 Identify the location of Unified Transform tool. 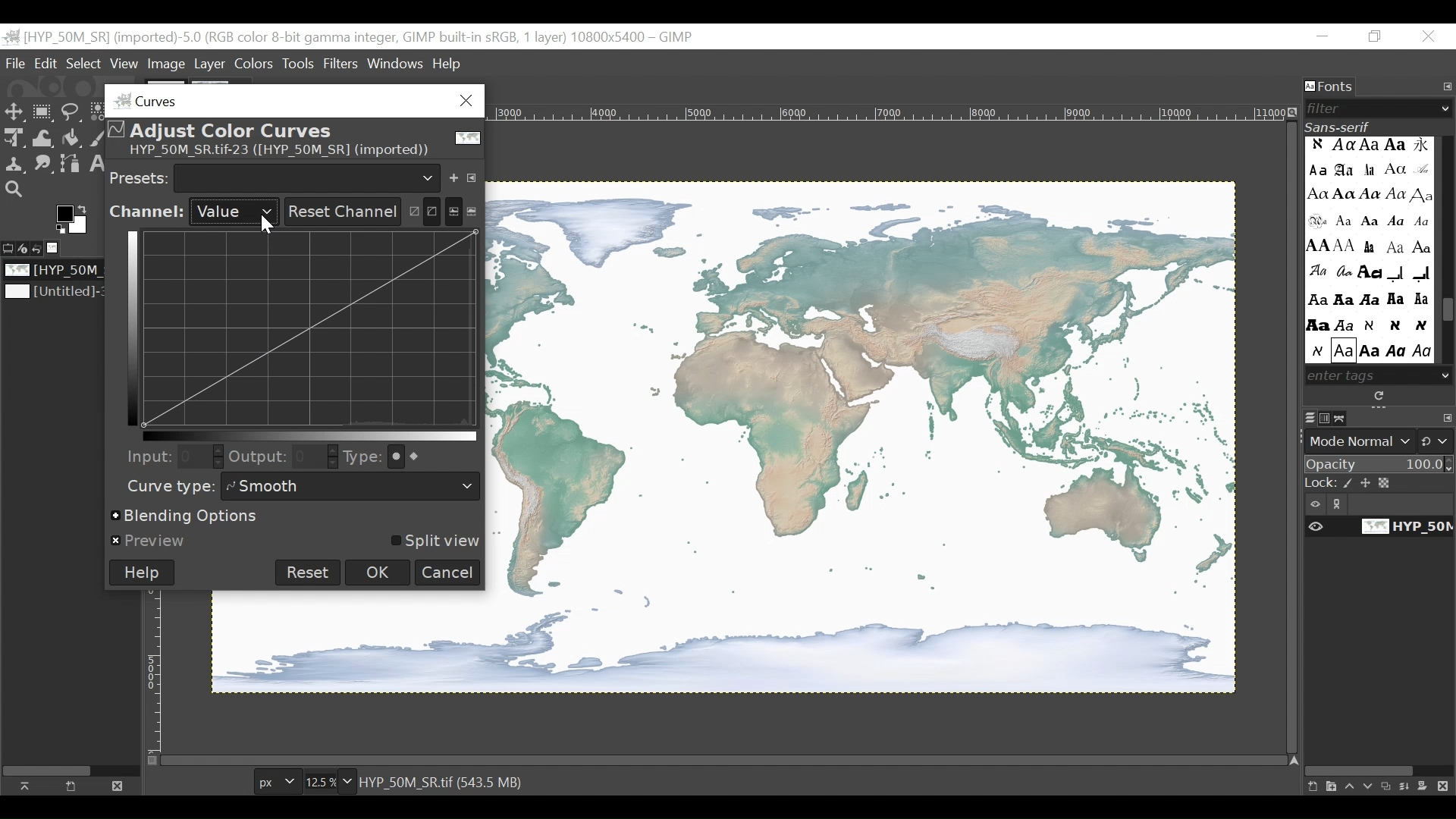
(12, 137).